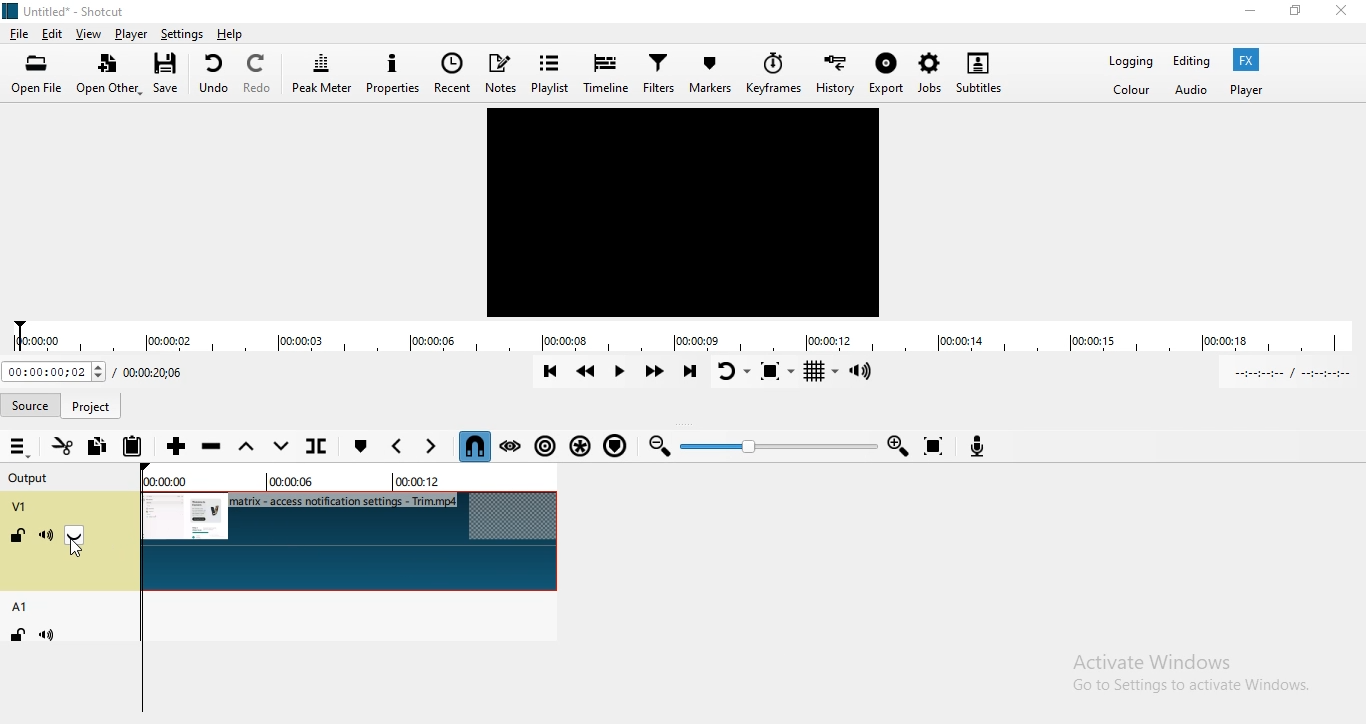 Image resolution: width=1366 pixels, height=724 pixels. I want to click on Skip to the next point , so click(690, 372).